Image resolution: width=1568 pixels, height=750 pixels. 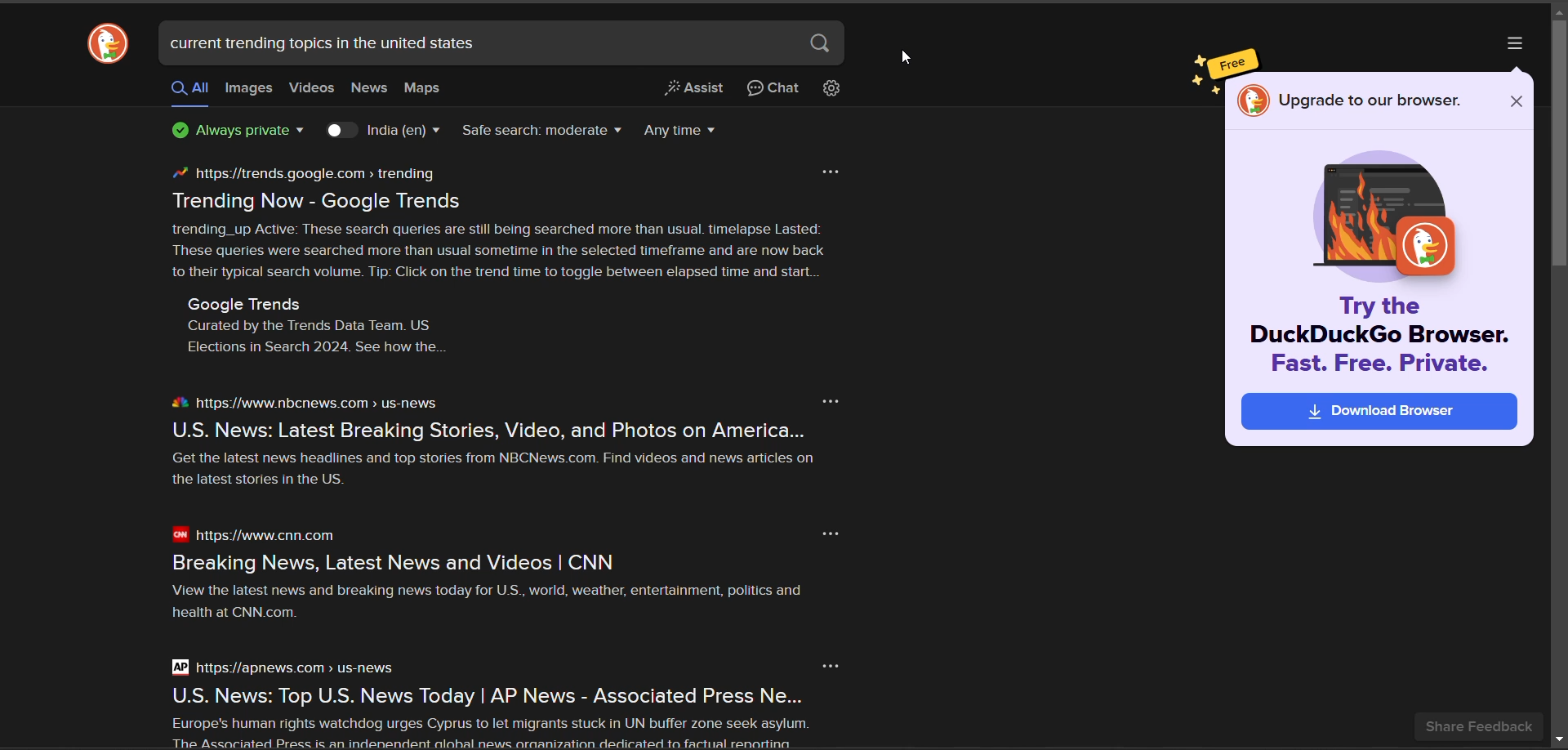 What do you see at coordinates (904, 59) in the screenshot?
I see `cursor` at bounding box center [904, 59].